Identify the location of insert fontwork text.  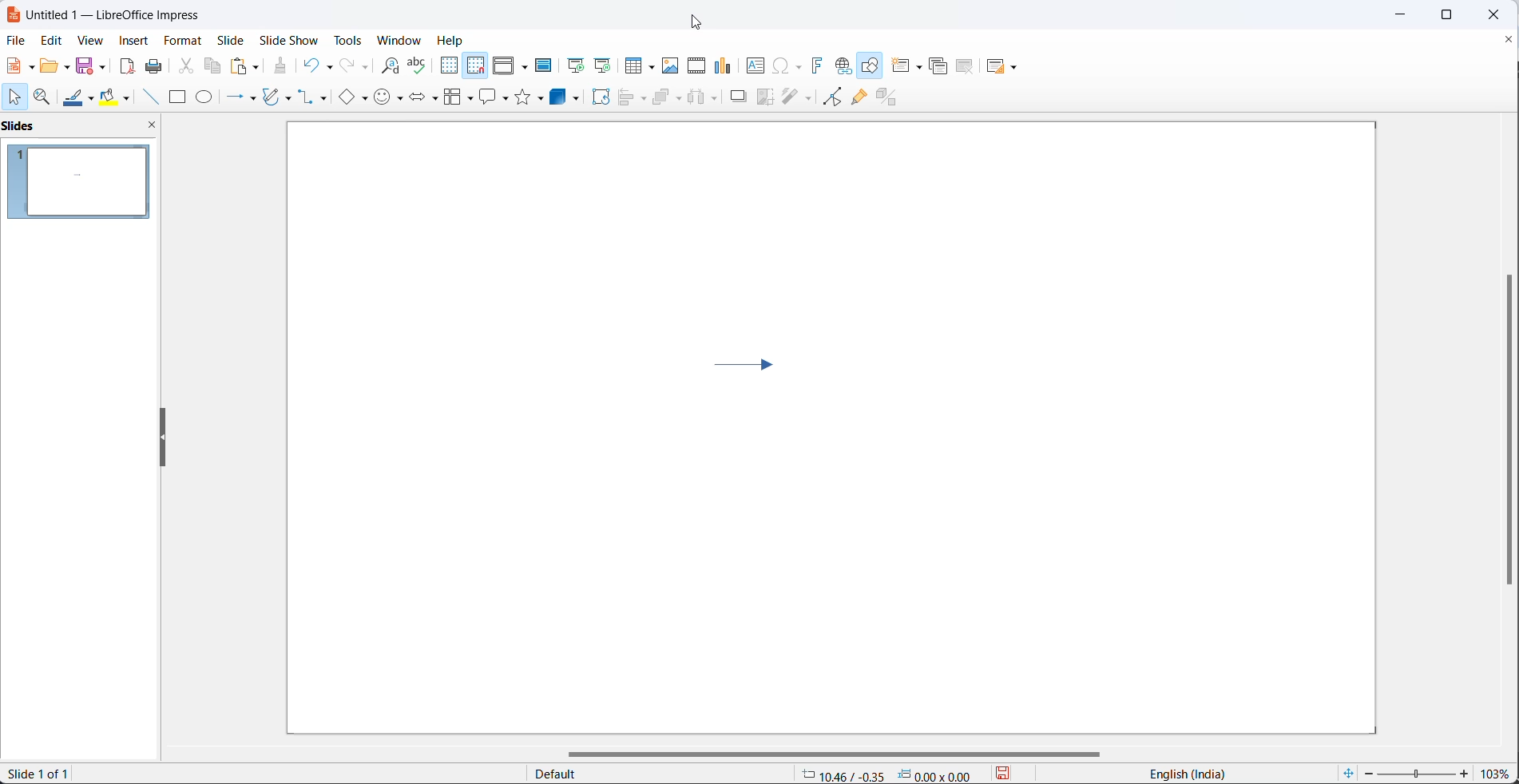
(816, 65).